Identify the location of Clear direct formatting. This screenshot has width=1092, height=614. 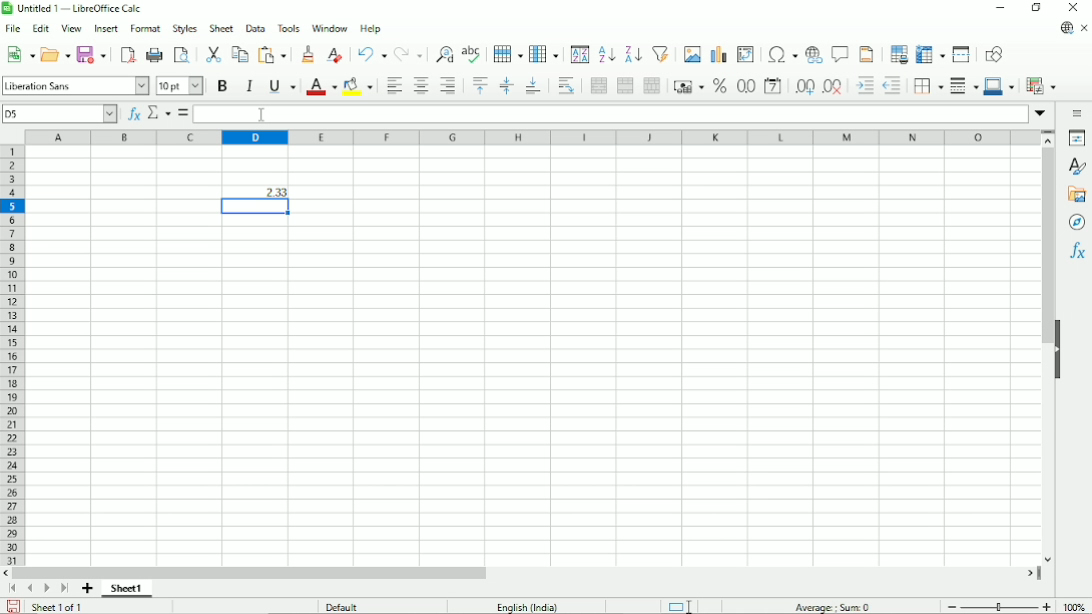
(335, 56).